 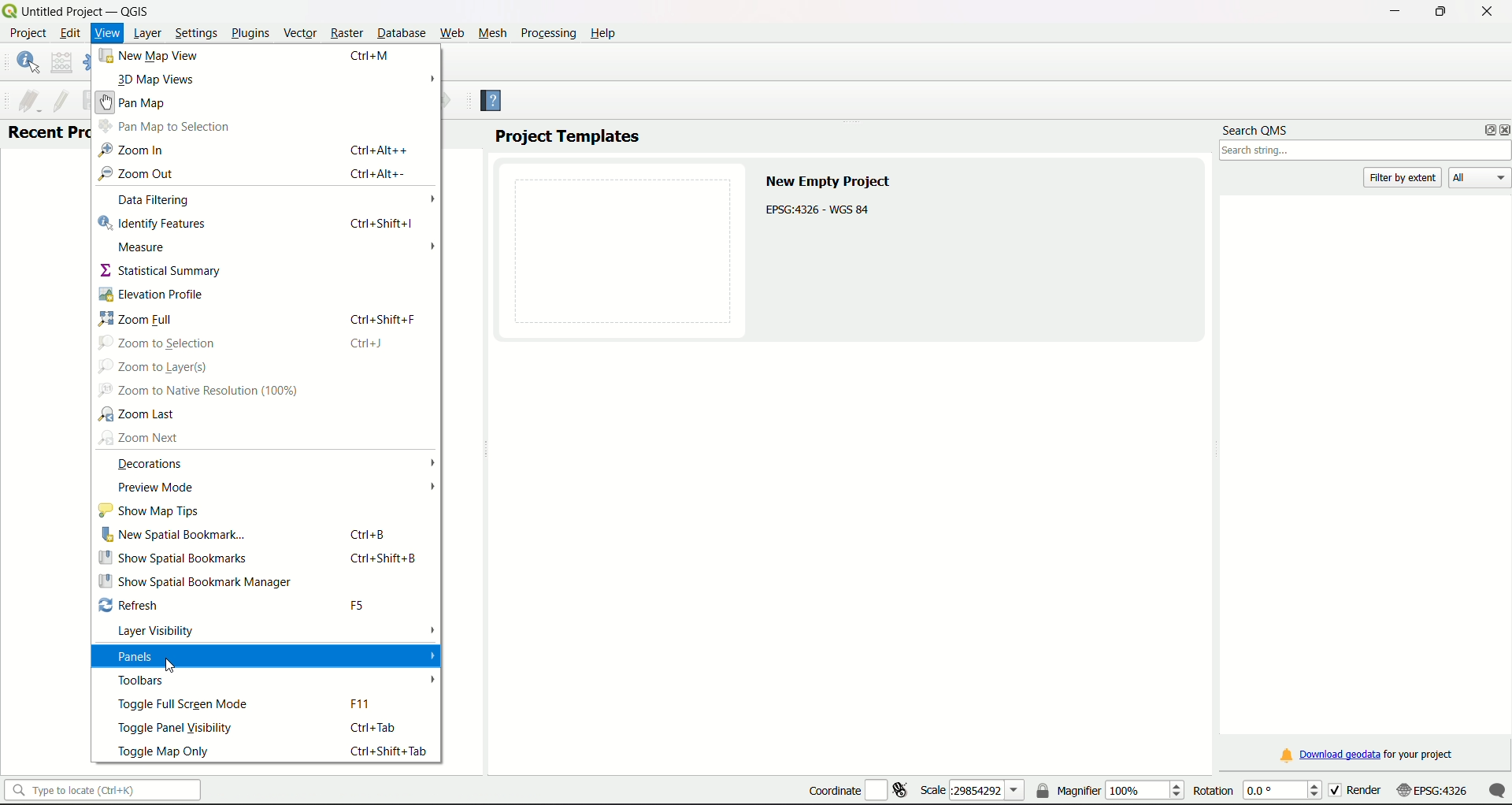 What do you see at coordinates (197, 35) in the screenshot?
I see `Settings` at bounding box center [197, 35].